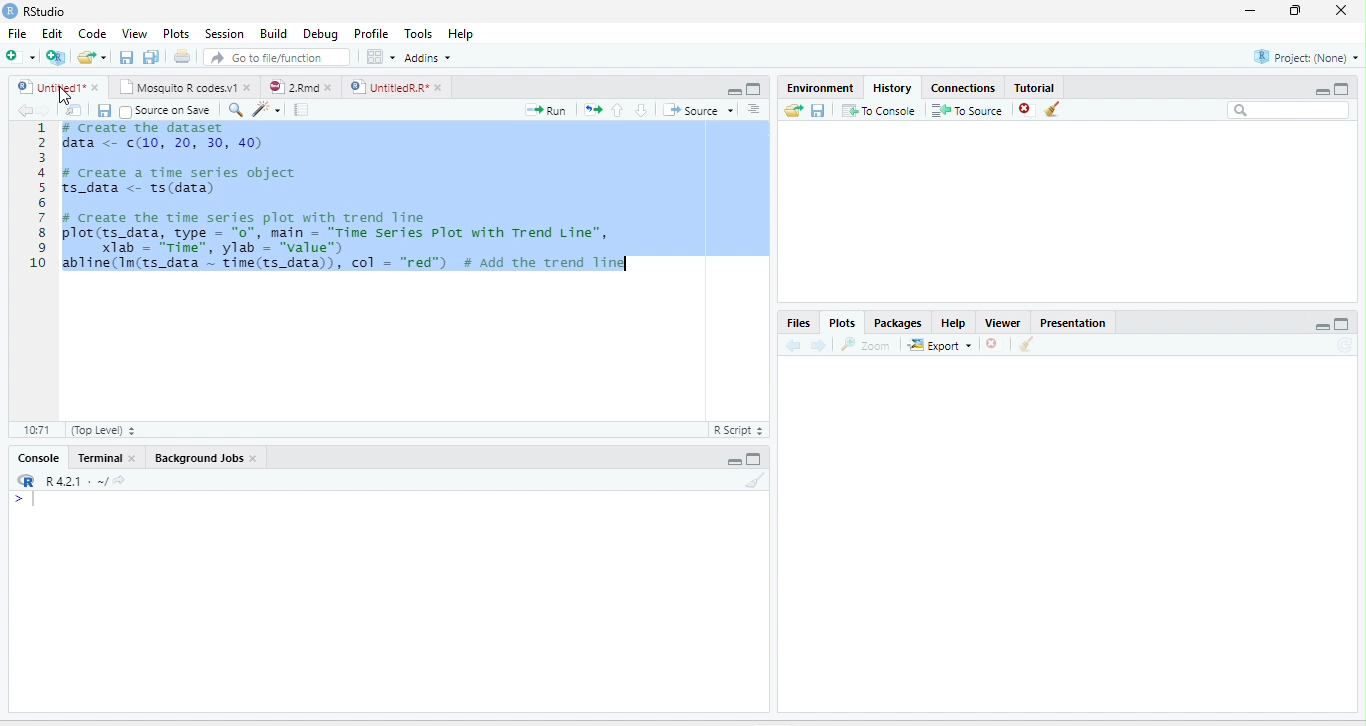 This screenshot has width=1366, height=726. Describe the element at coordinates (291, 87) in the screenshot. I see `2.Rmd` at that location.